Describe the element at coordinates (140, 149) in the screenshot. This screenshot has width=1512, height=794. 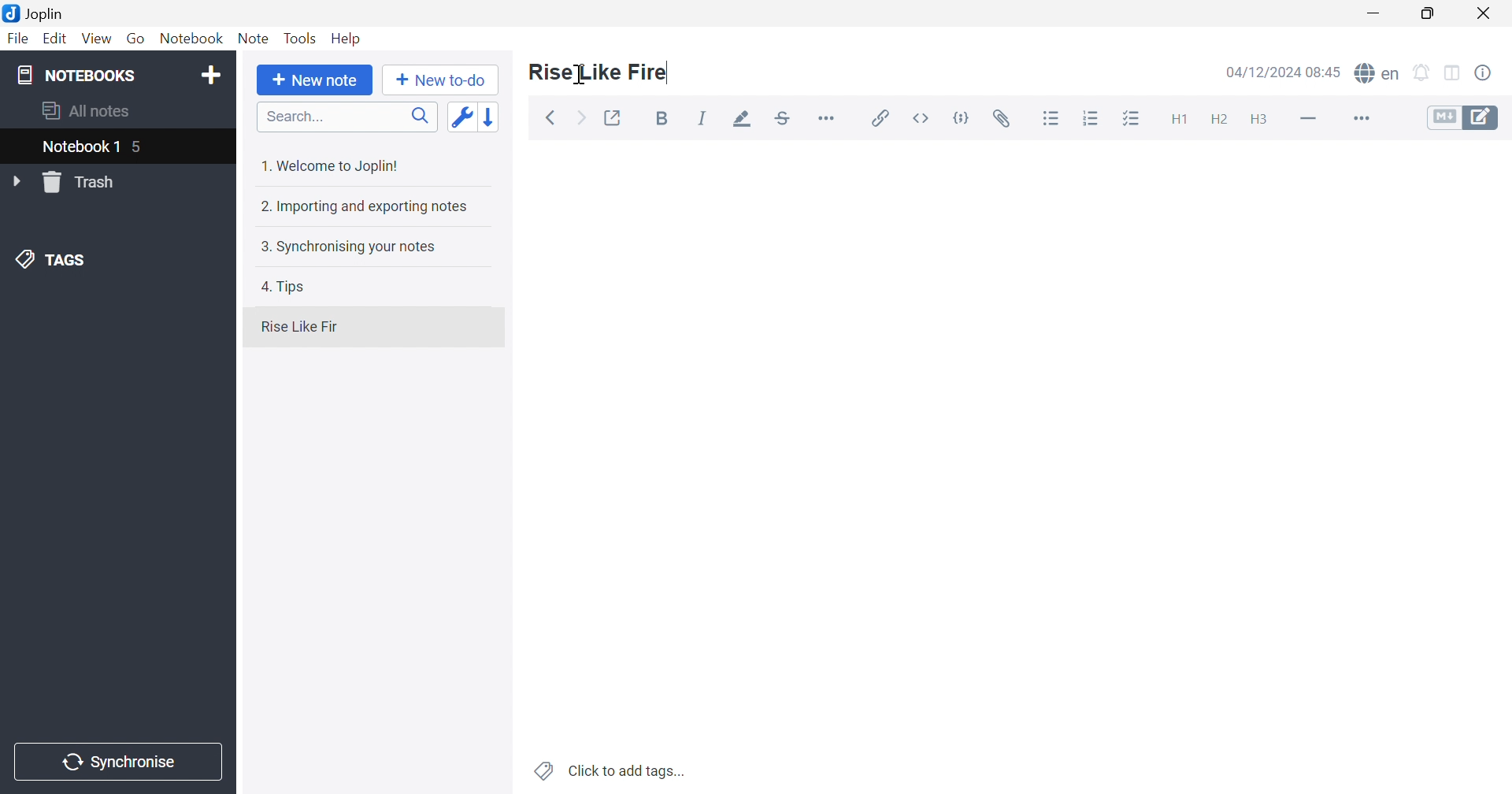
I see `5` at that location.